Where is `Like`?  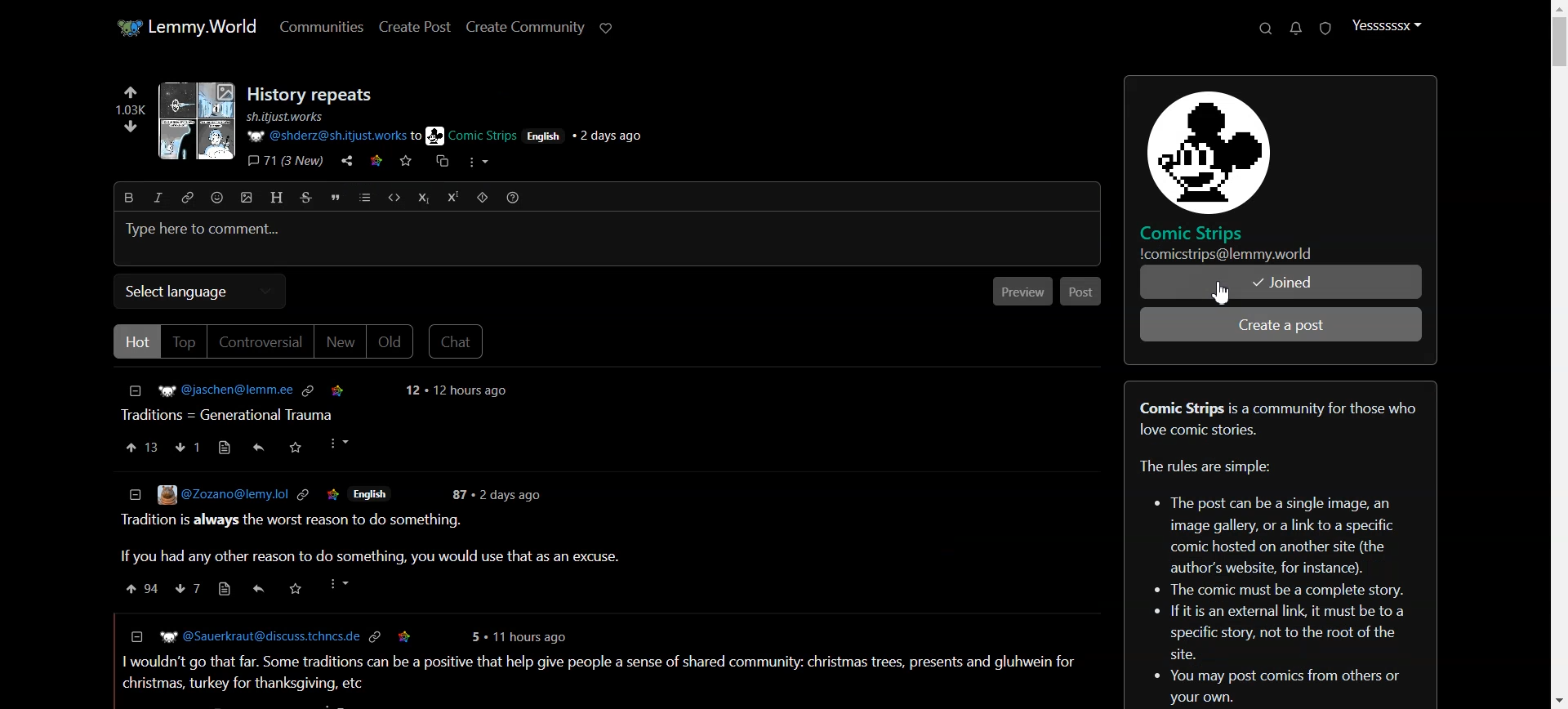 Like is located at coordinates (136, 589).